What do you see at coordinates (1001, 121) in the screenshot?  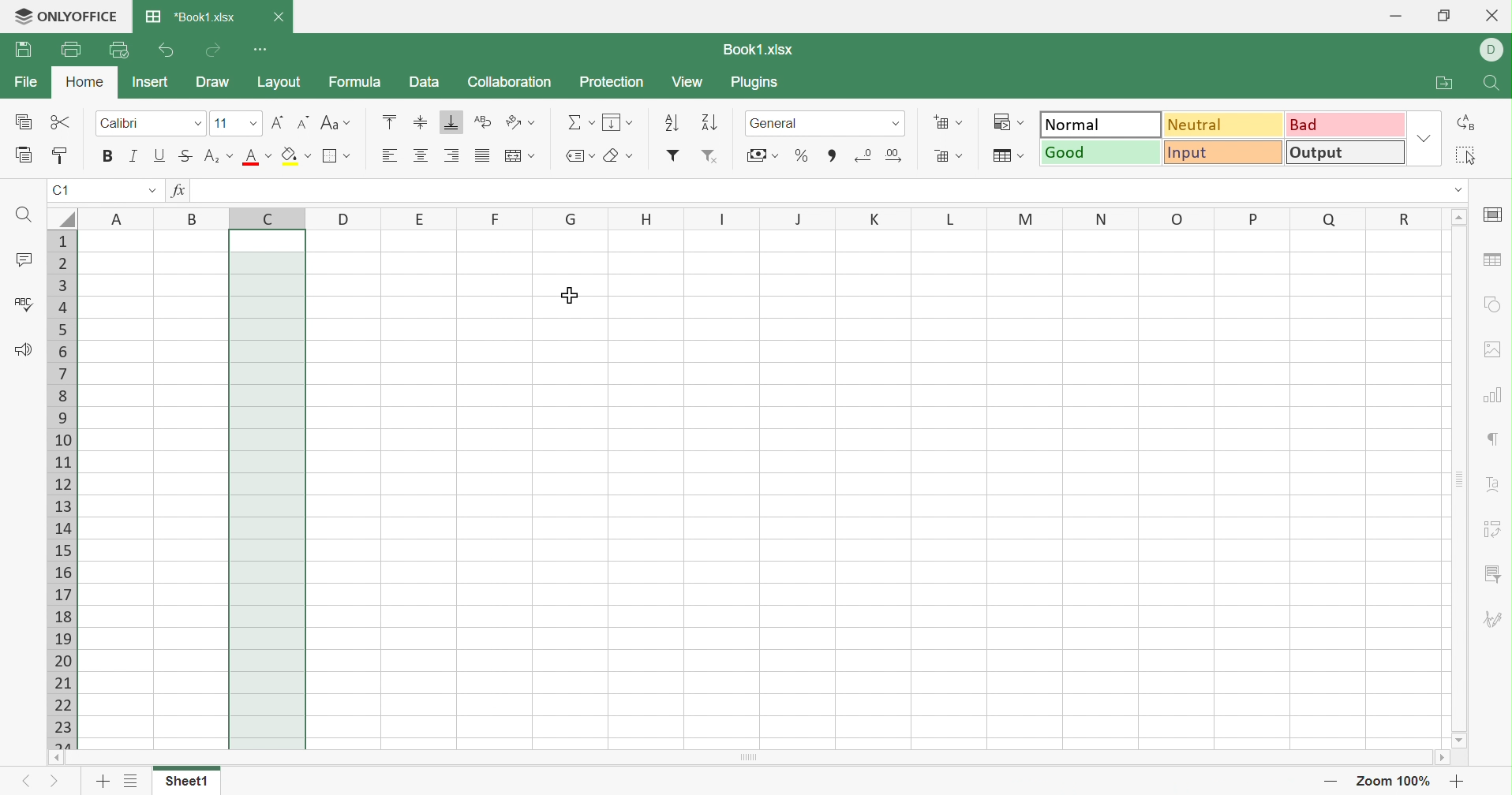 I see `Conditional formatting` at bounding box center [1001, 121].